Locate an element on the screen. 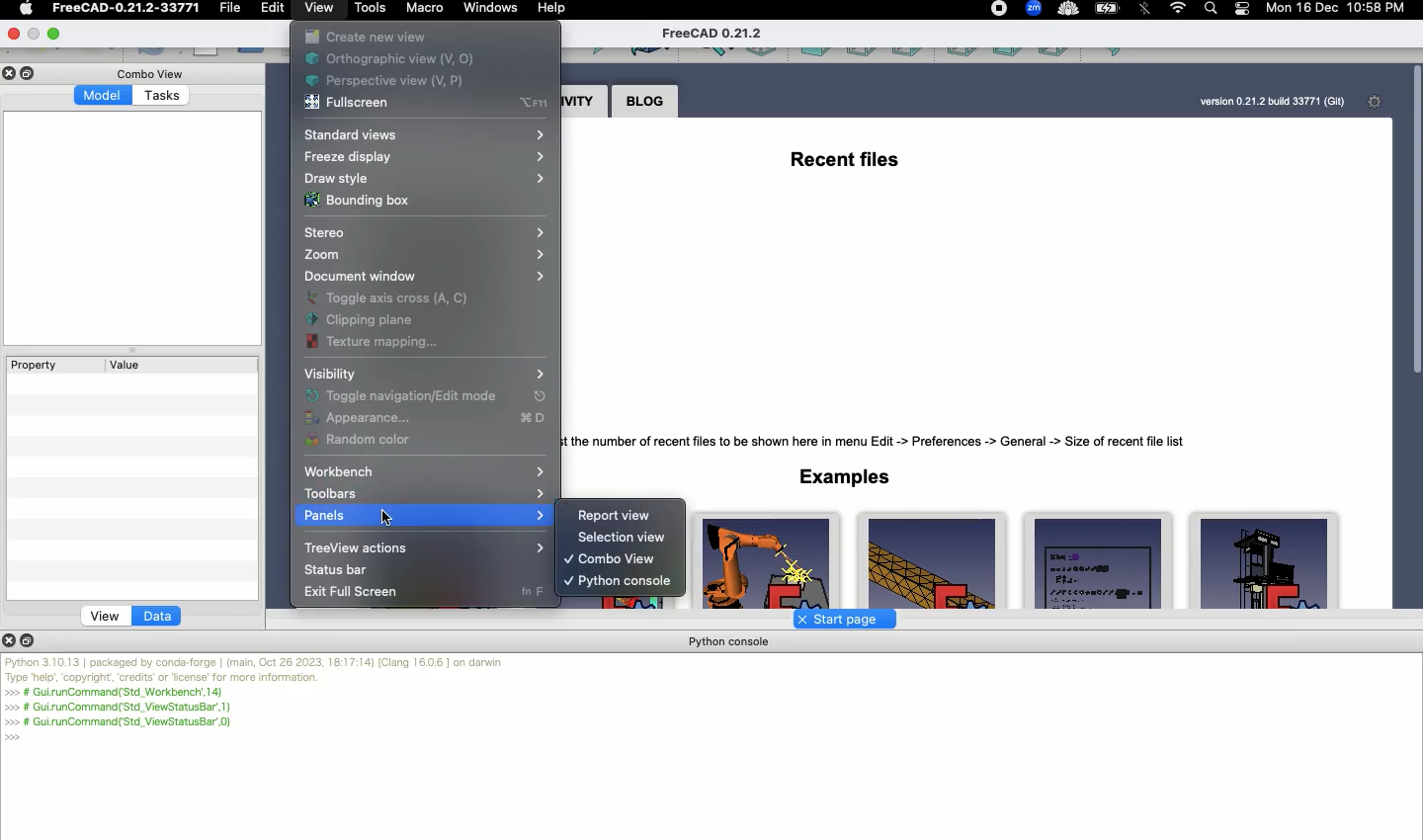 The height and width of the screenshot is (840, 1423). Close is located at coordinates (17, 33).